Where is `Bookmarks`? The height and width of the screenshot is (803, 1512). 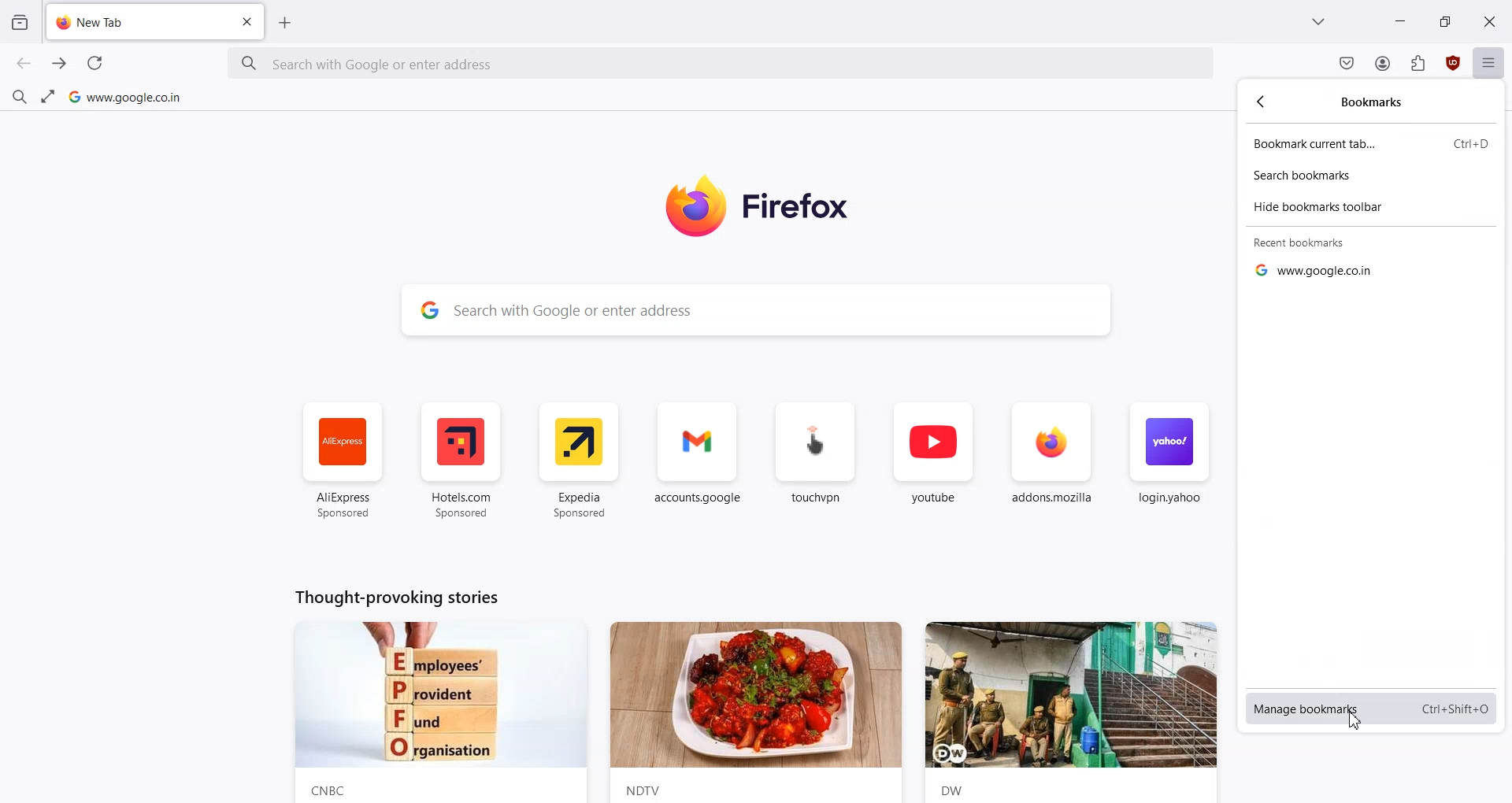 Bookmarks is located at coordinates (1372, 102).